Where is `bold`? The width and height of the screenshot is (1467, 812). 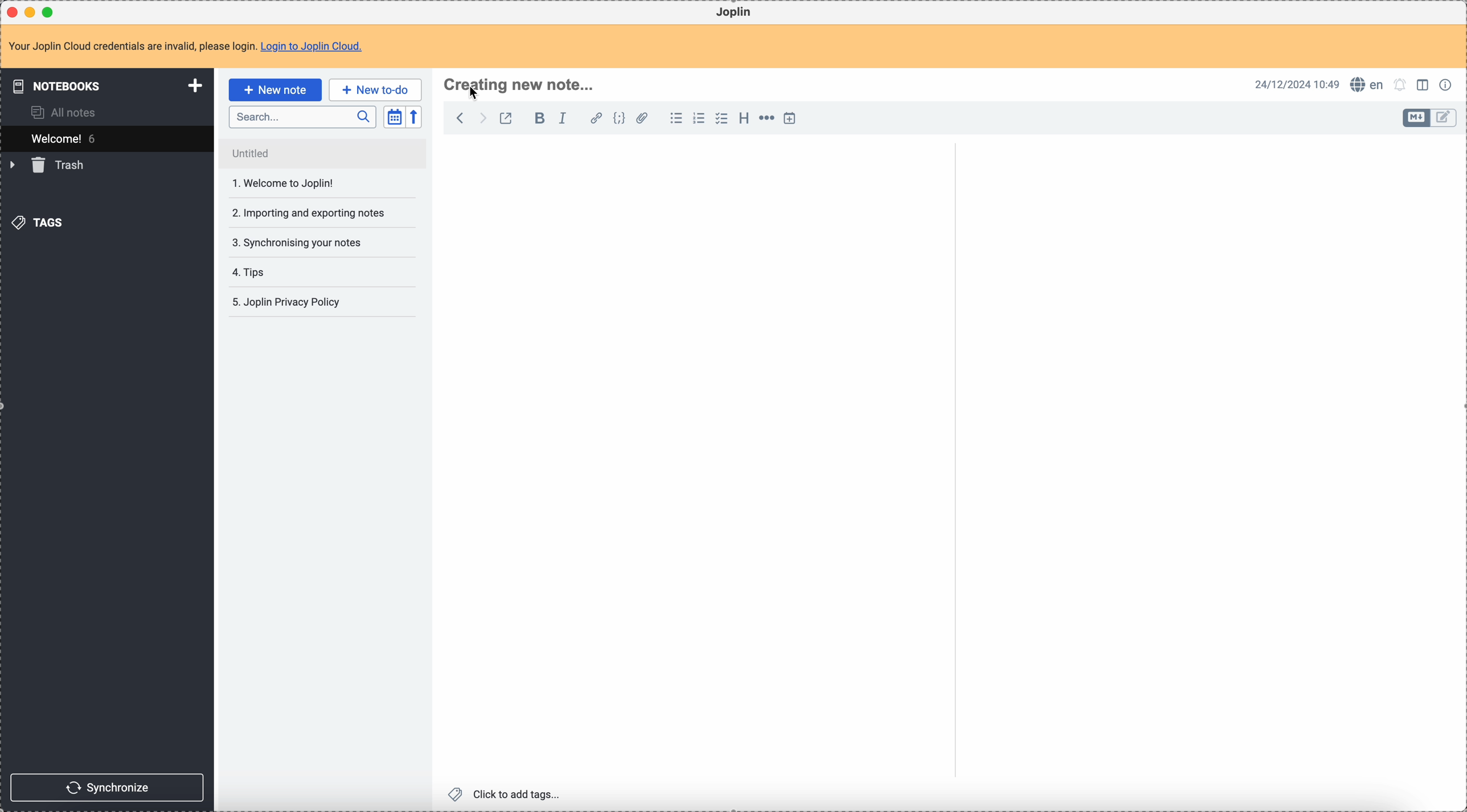 bold is located at coordinates (539, 120).